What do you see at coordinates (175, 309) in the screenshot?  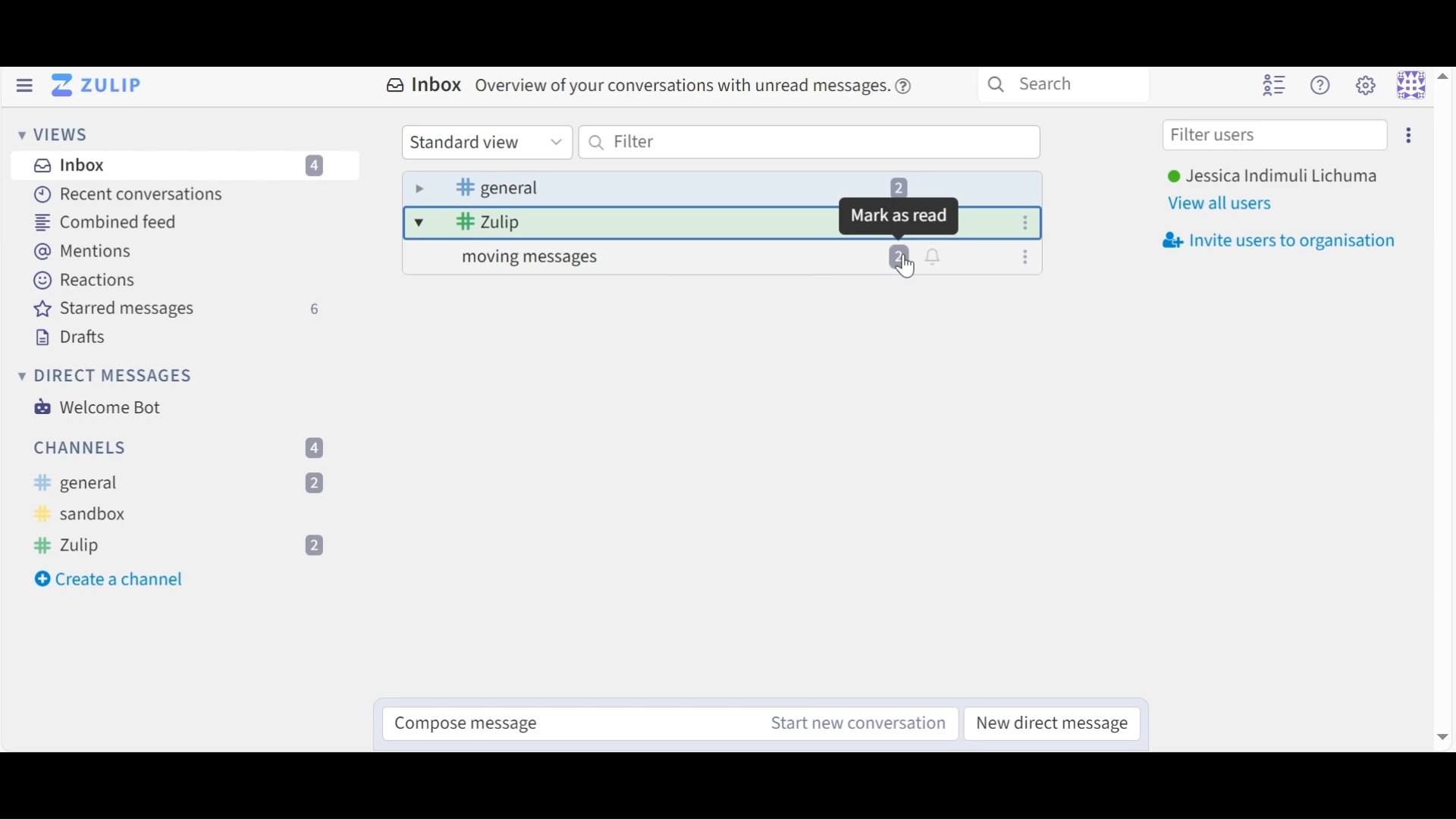 I see `Starred` at bounding box center [175, 309].